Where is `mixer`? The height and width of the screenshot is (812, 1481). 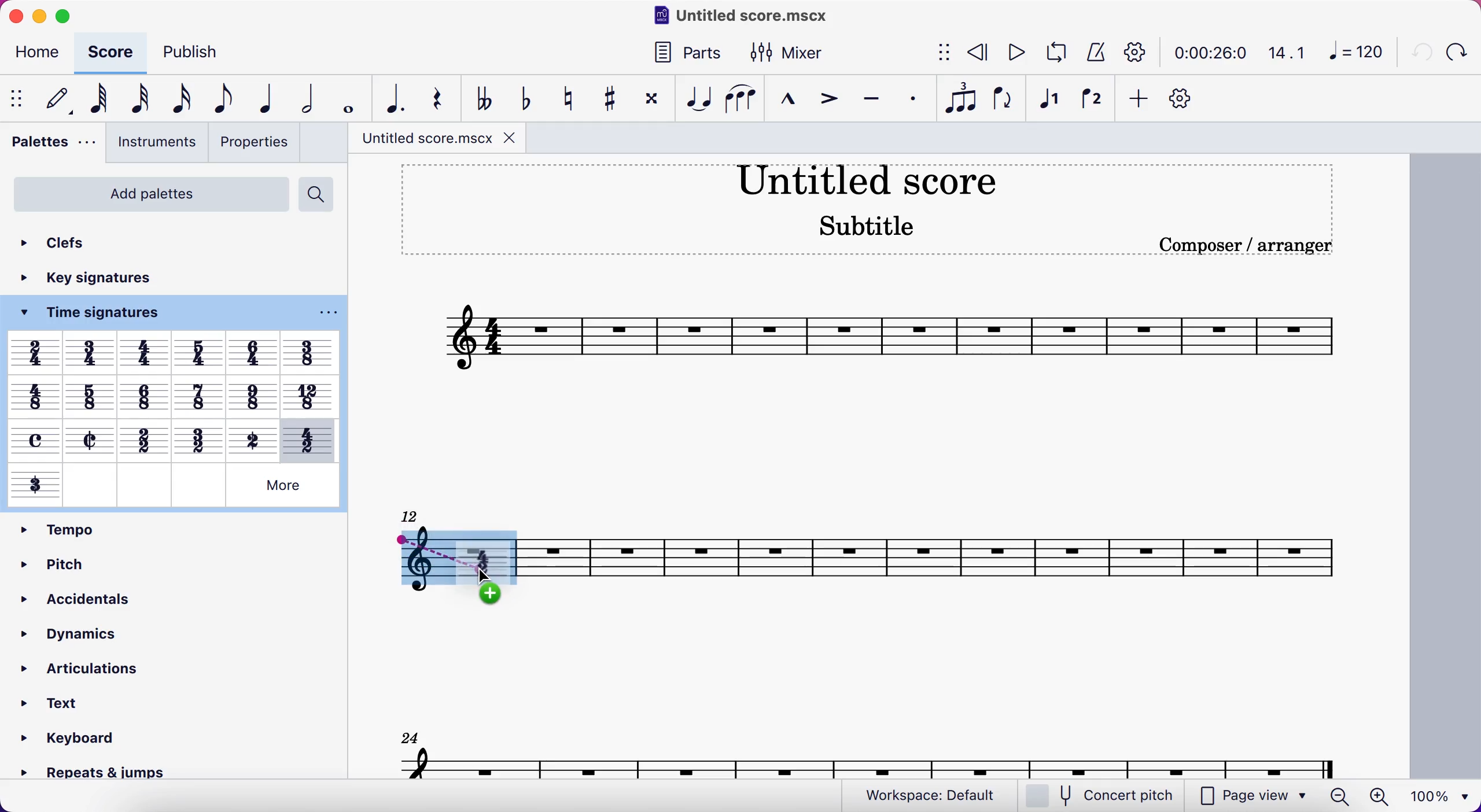 mixer is located at coordinates (788, 51).